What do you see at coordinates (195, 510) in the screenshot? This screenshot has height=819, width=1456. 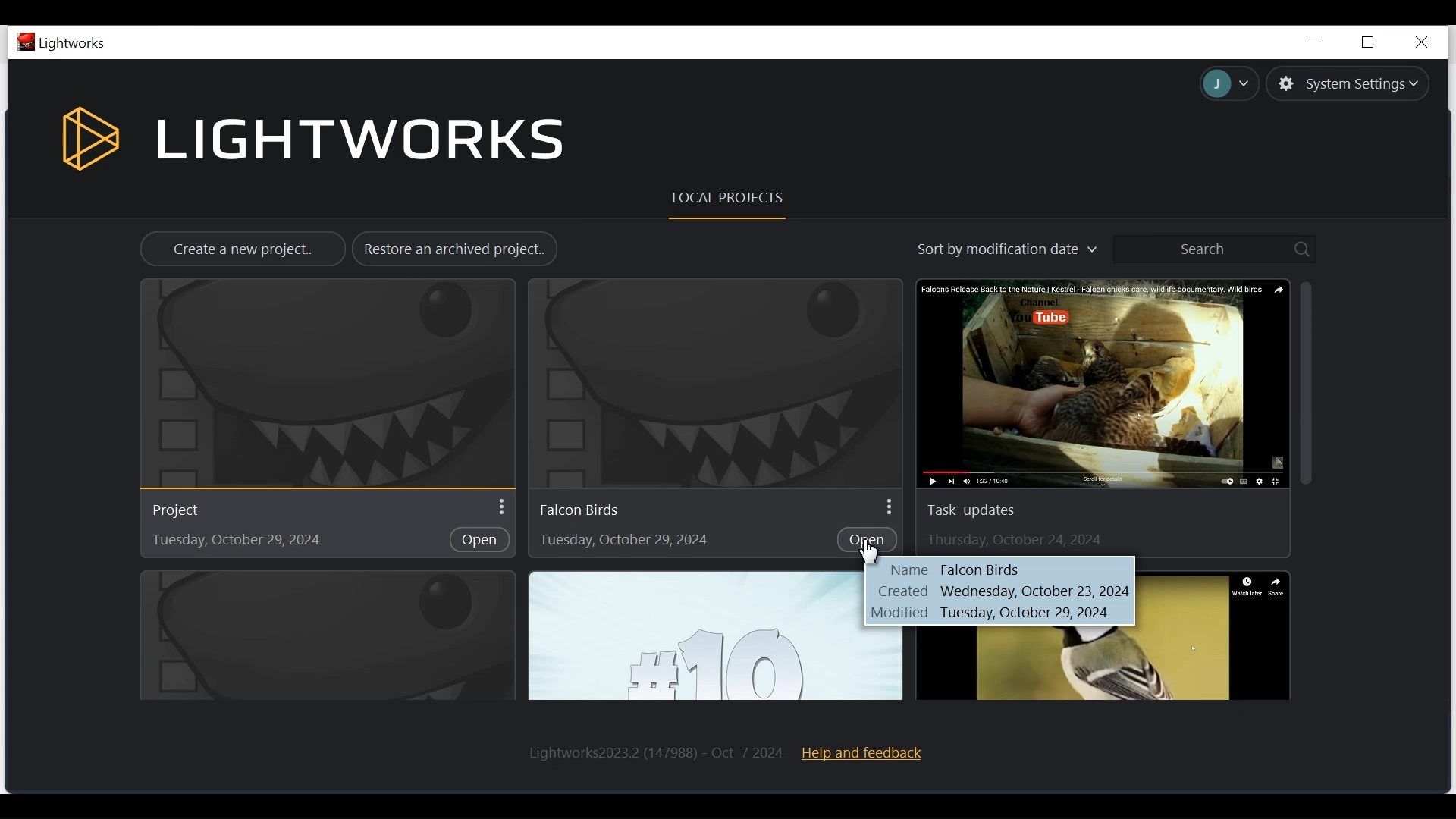 I see `Project` at bounding box center [195, 510].